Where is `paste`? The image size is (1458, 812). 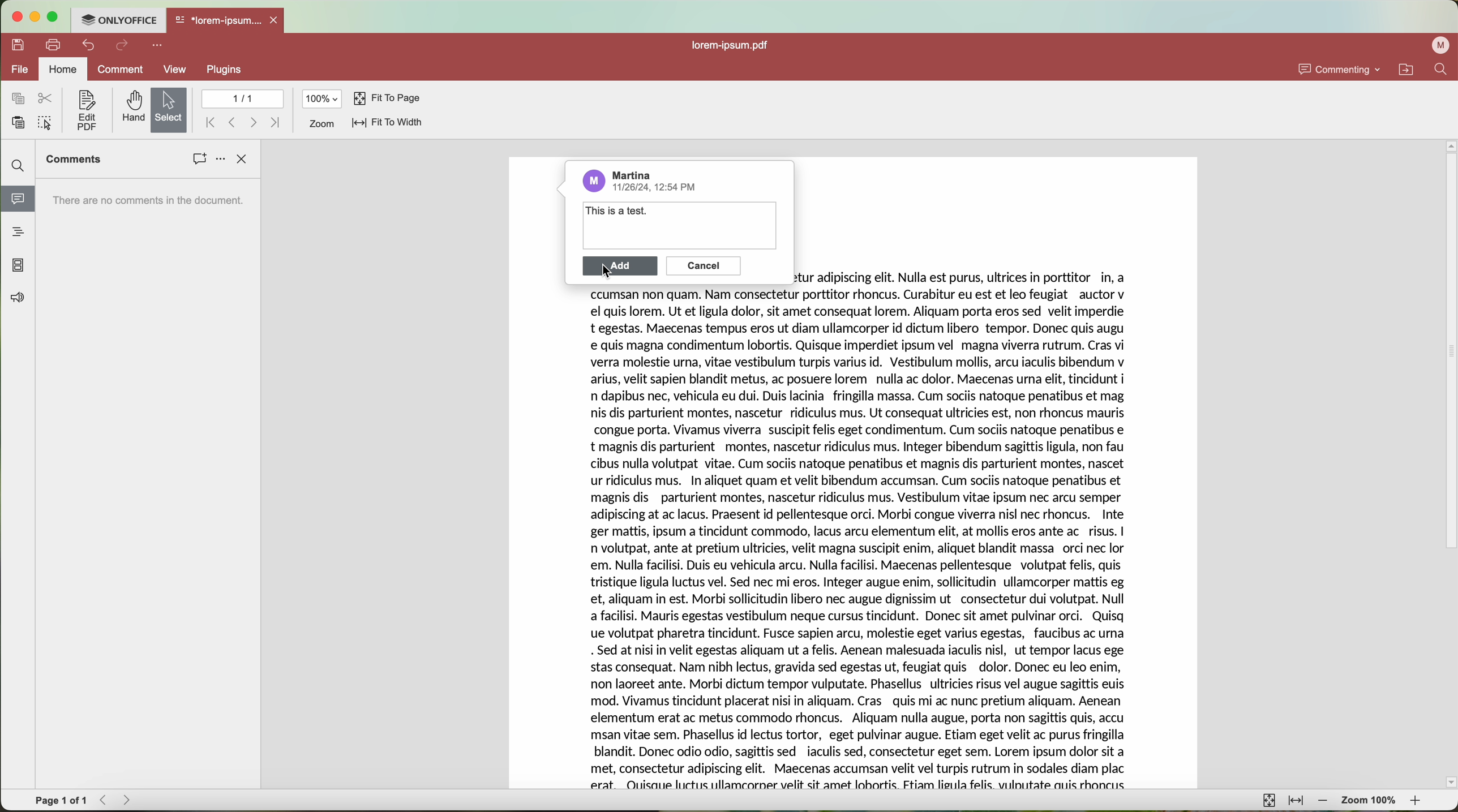 paste is located at coordinates (19, 122).